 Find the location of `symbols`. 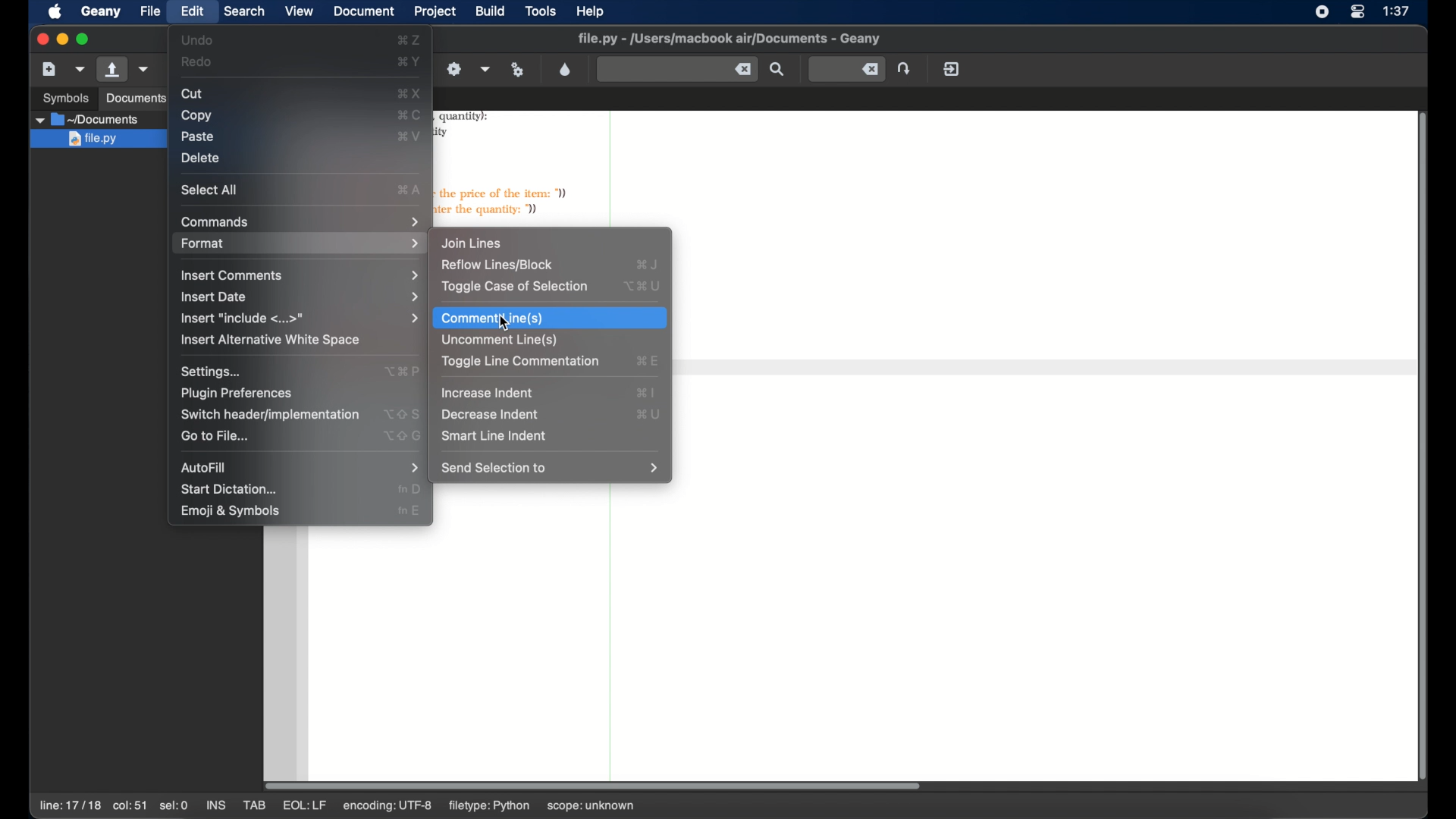

symbols is located at coordinates (65, 97).